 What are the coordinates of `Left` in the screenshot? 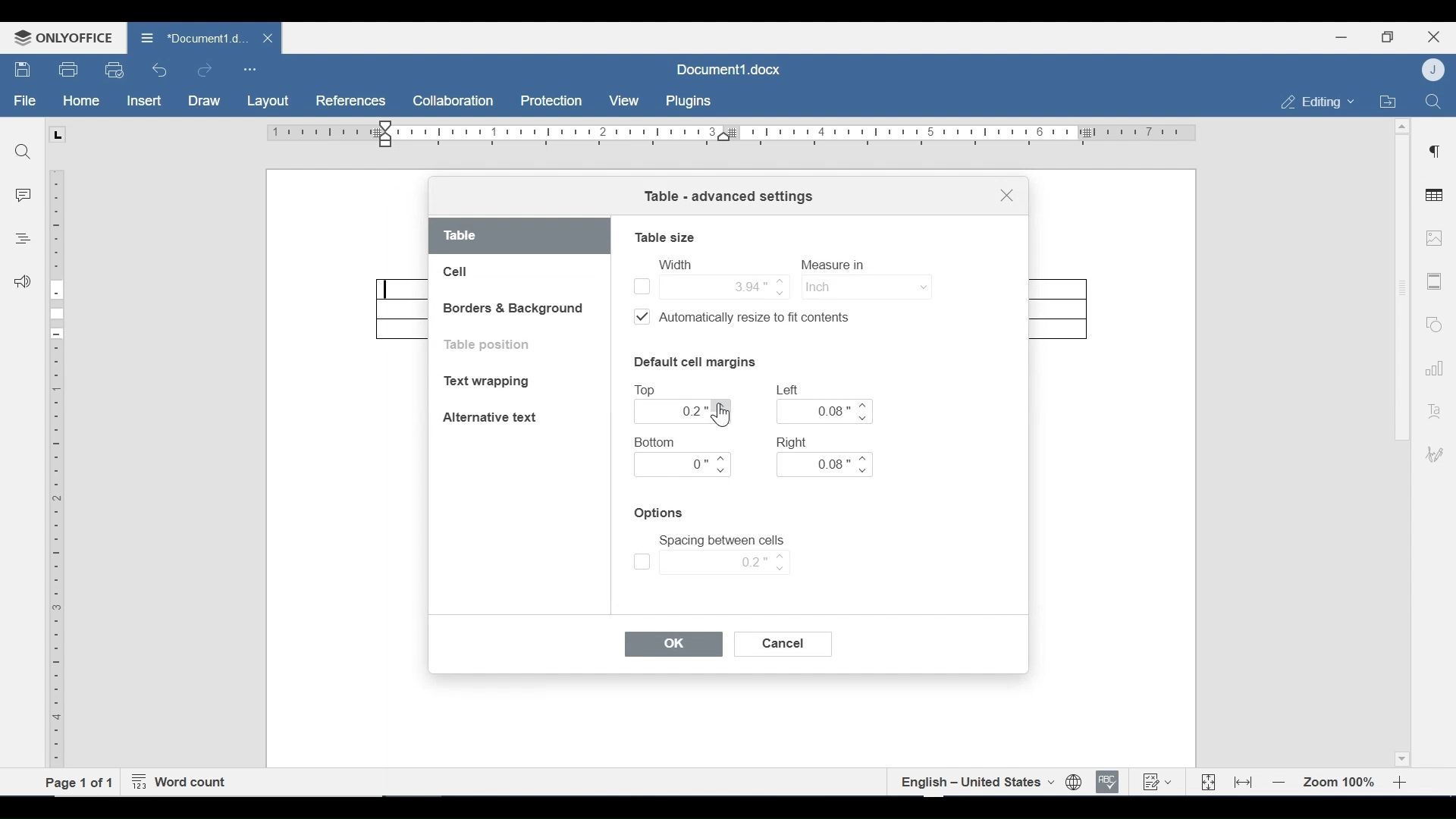 It's located at (789, 390).